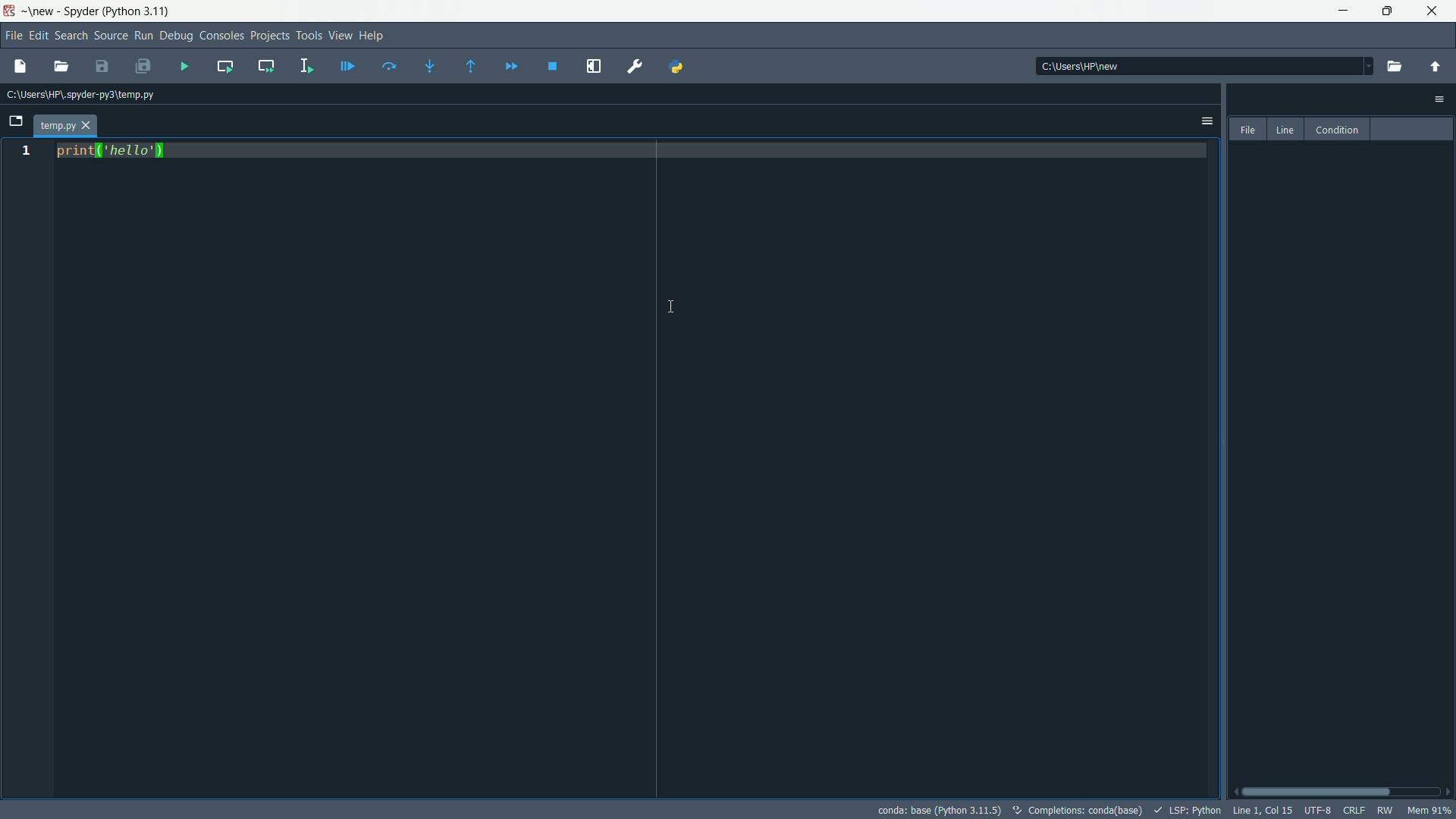 The width and height of the screenshot is (1456, 819). Describe the element at coordinates (221, 36) in the screenshot. I see `consoles menu` at that location.